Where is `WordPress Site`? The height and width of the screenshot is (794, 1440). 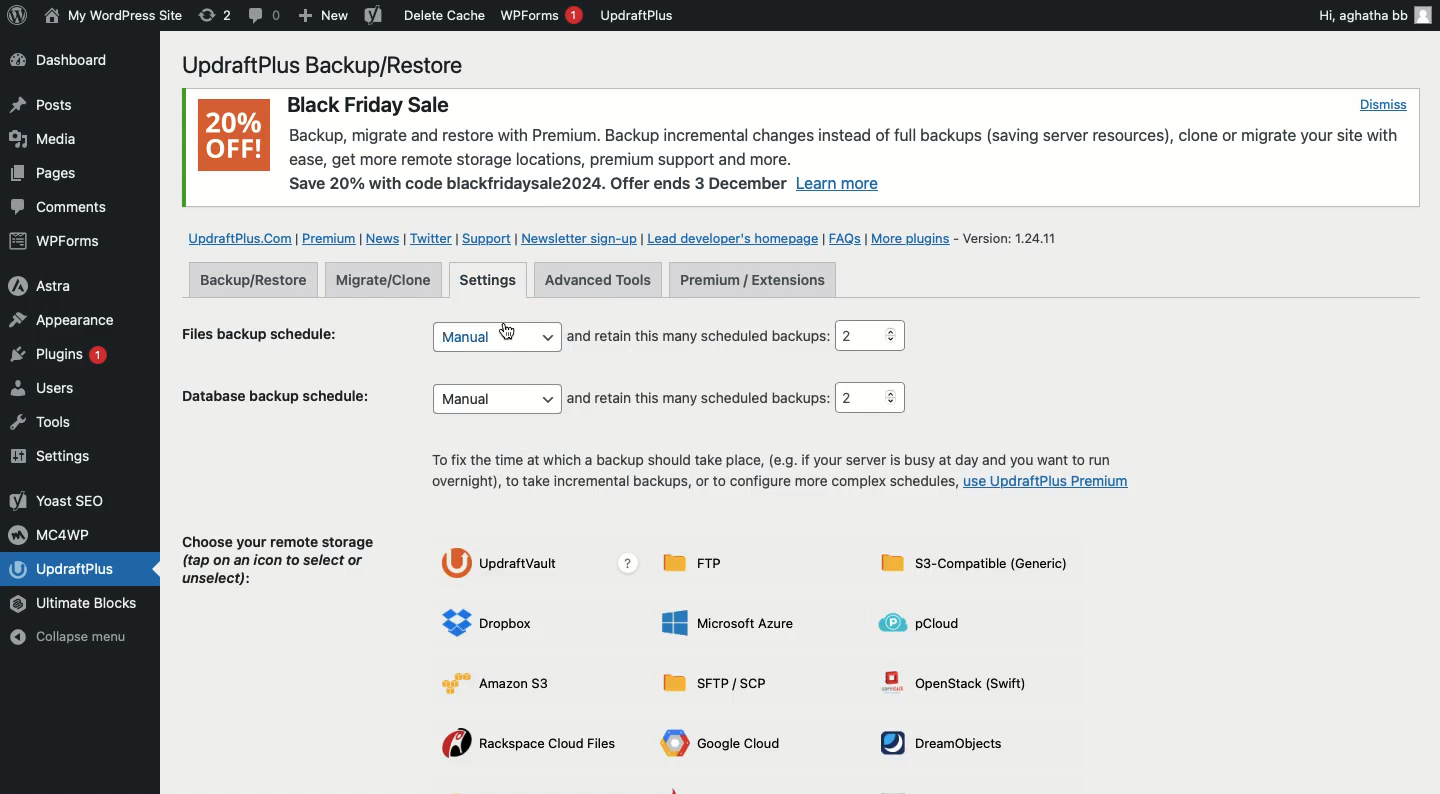
WordPress Site is located at coordinates (111, 16).